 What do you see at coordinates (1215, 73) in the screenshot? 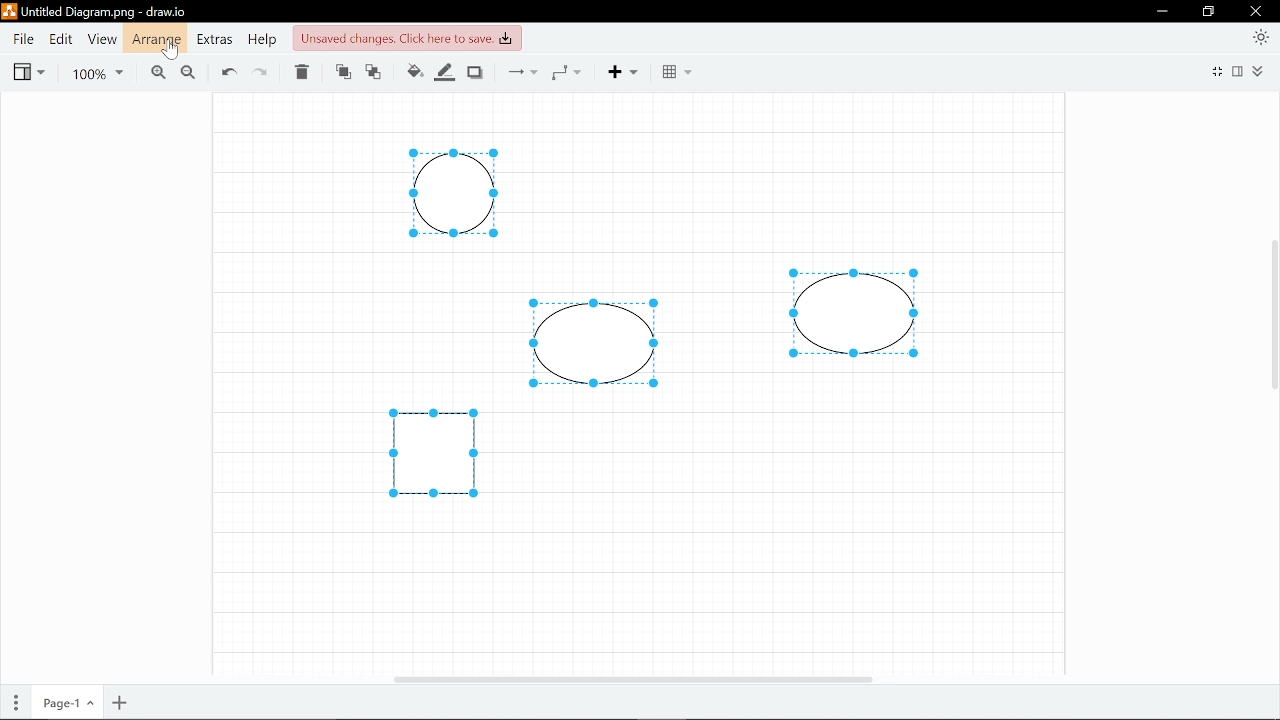
I see `Fullscreen` at bounding box center [1215, 73].